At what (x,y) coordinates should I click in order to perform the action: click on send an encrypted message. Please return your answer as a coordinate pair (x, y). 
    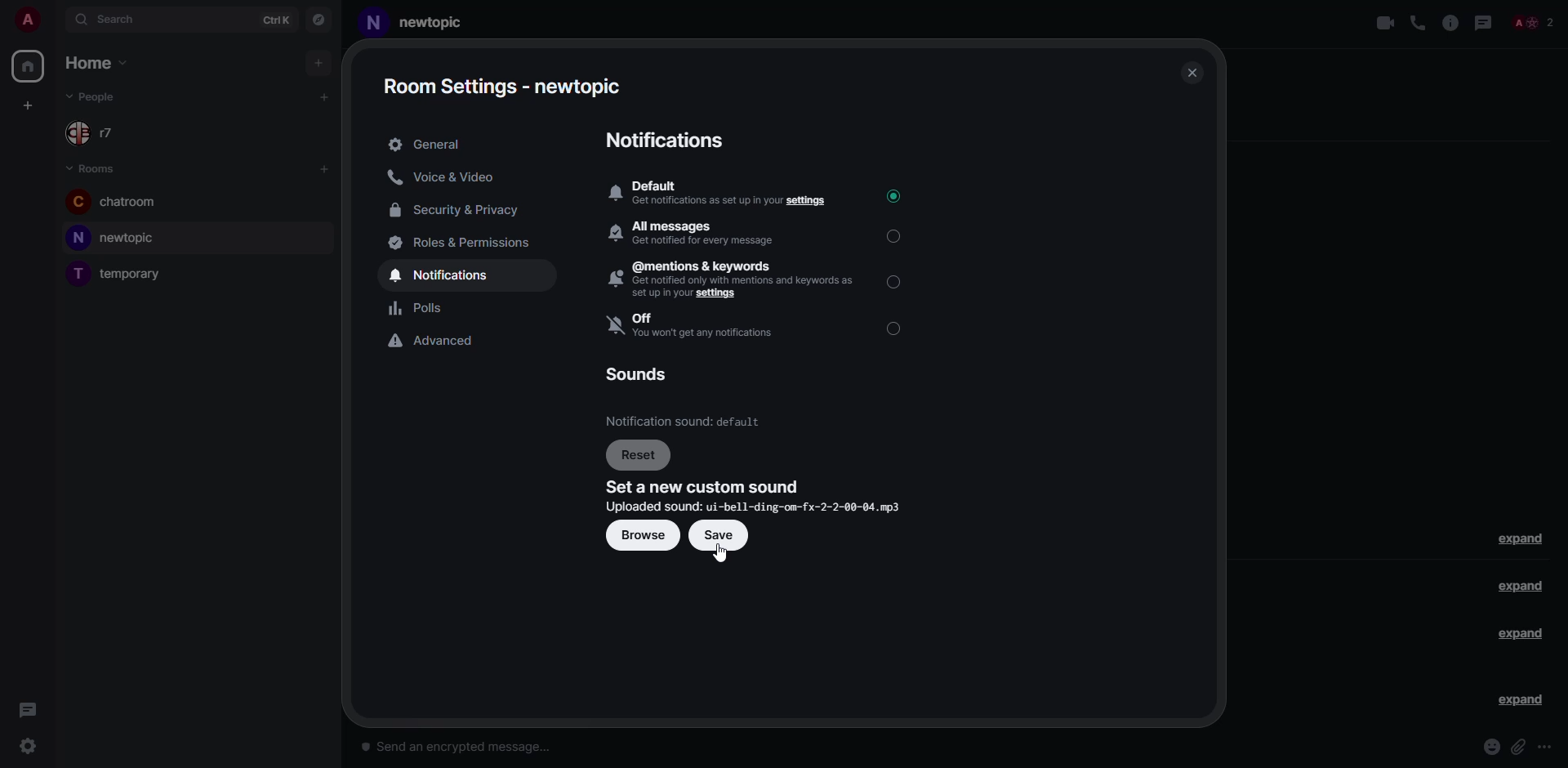
    Looking at the image, I should click on (466, 748).